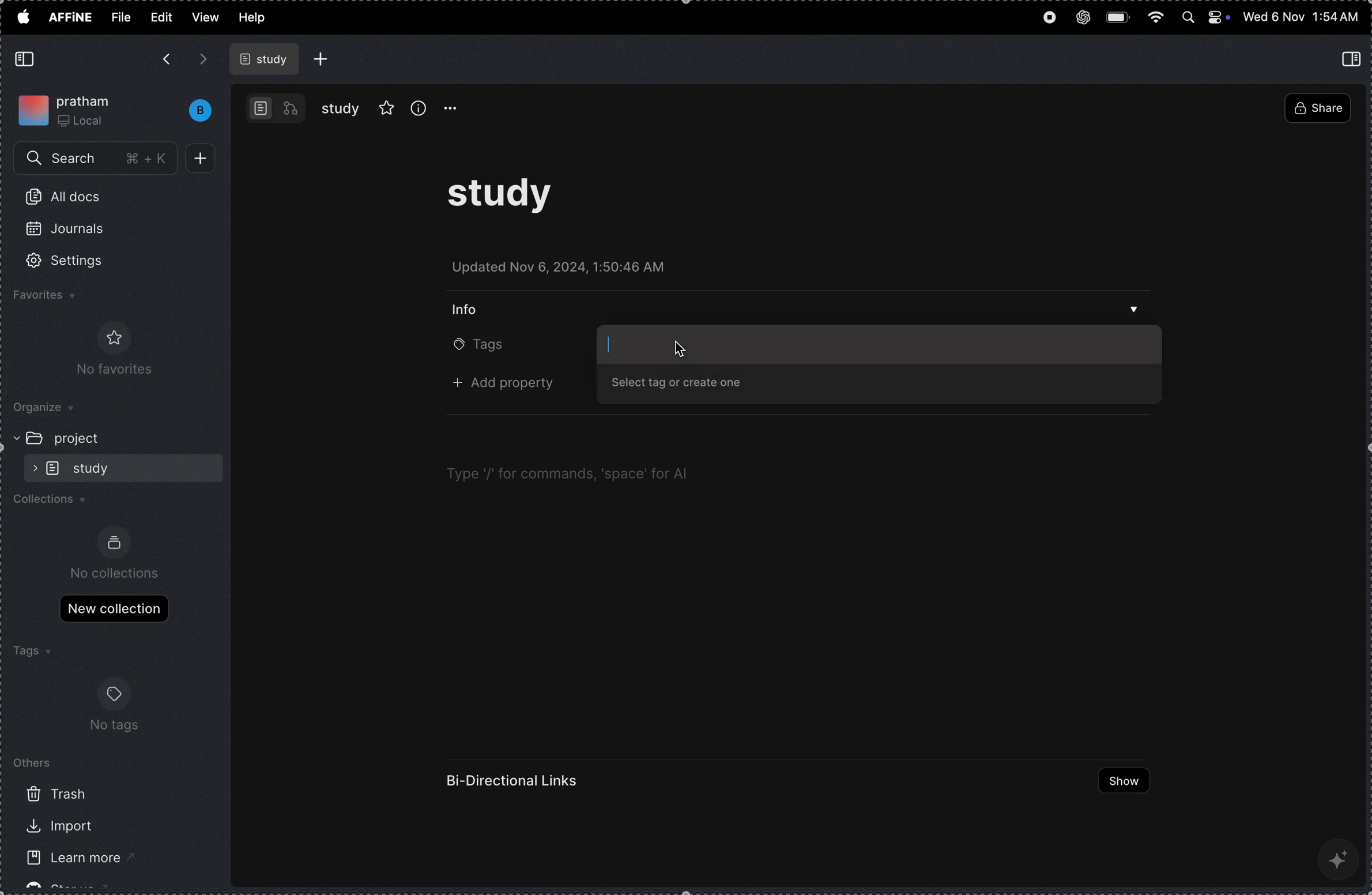 The height and width of the screenshot is (895, 1372). I want to click on collapse side bar, so click(1354, 58).